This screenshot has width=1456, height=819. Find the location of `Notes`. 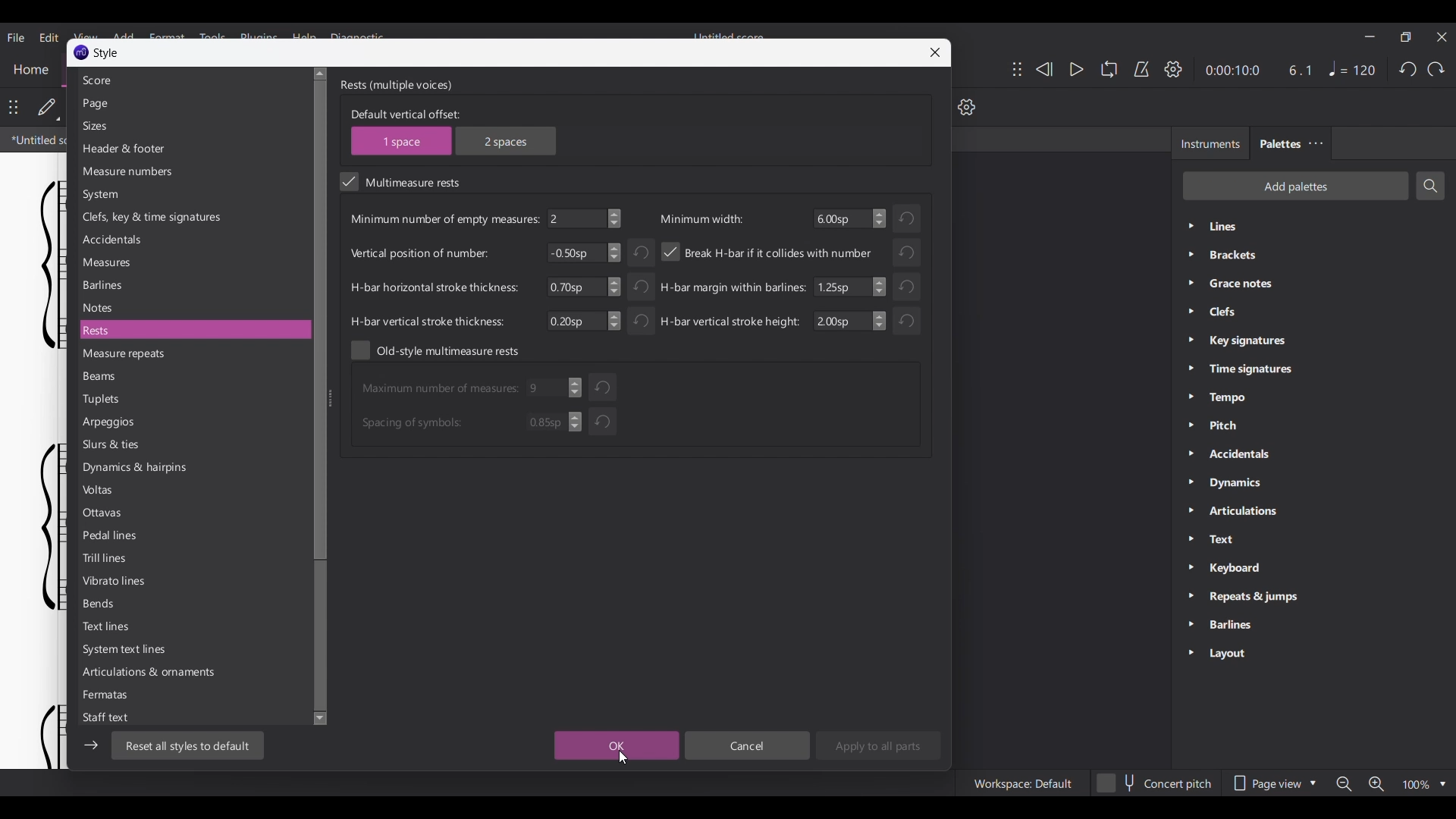

Notes is located at coordinates (193, 309).